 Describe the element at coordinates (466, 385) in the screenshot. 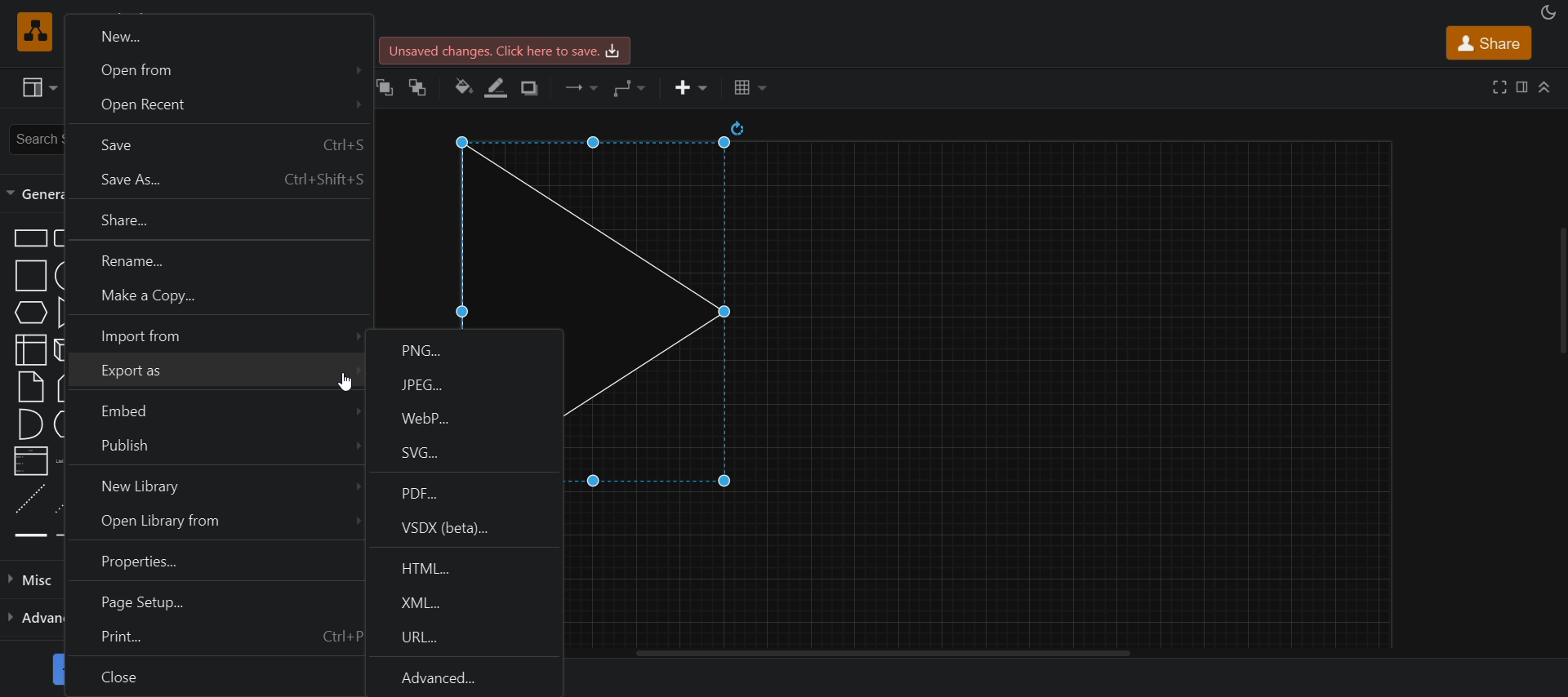

I see `jpeg` at that location.